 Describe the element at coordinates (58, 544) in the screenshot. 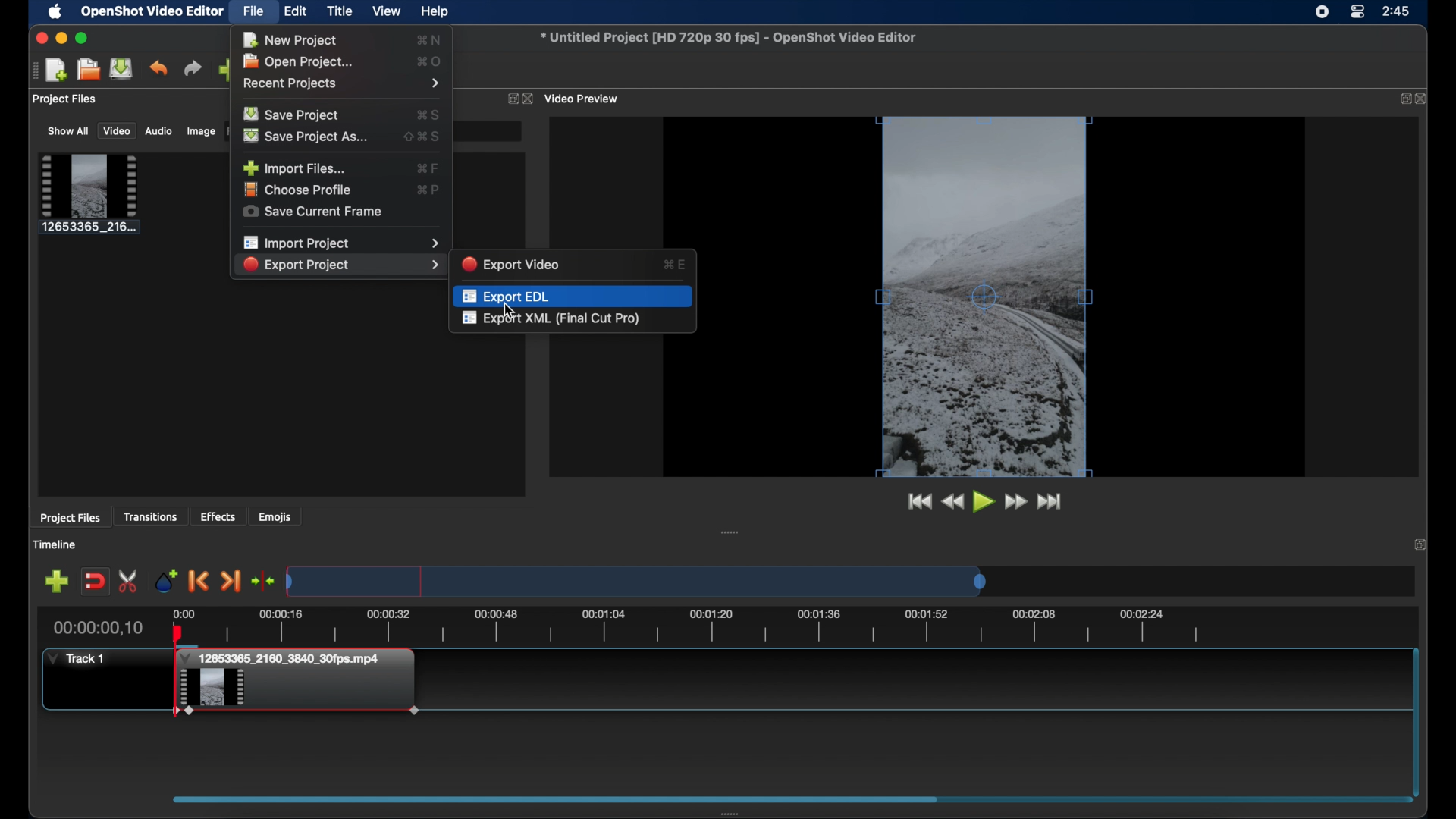

I see `timeline` at that location.